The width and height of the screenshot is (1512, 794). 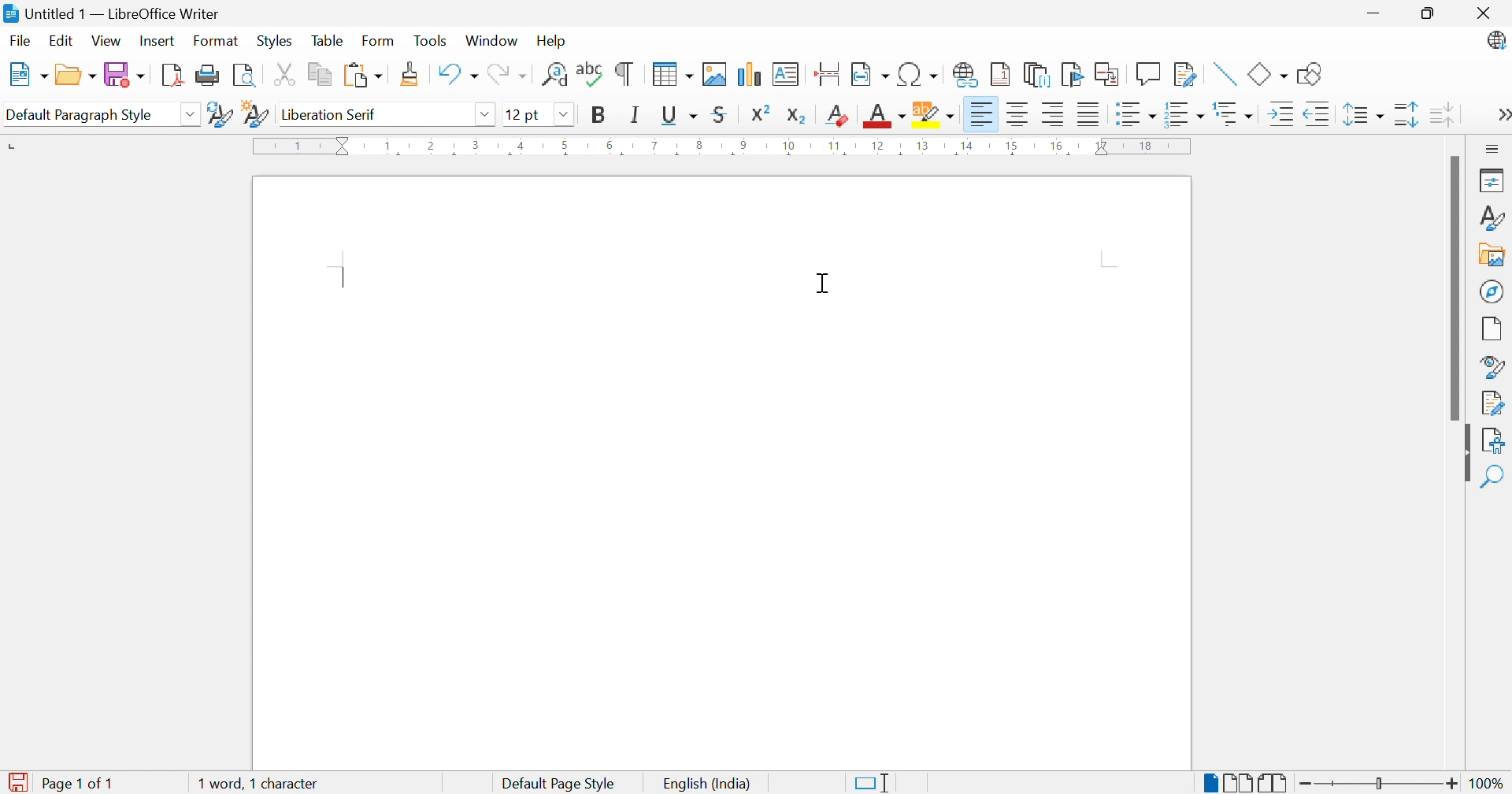 I want to click on Font Color, so click(x=882, y=116).